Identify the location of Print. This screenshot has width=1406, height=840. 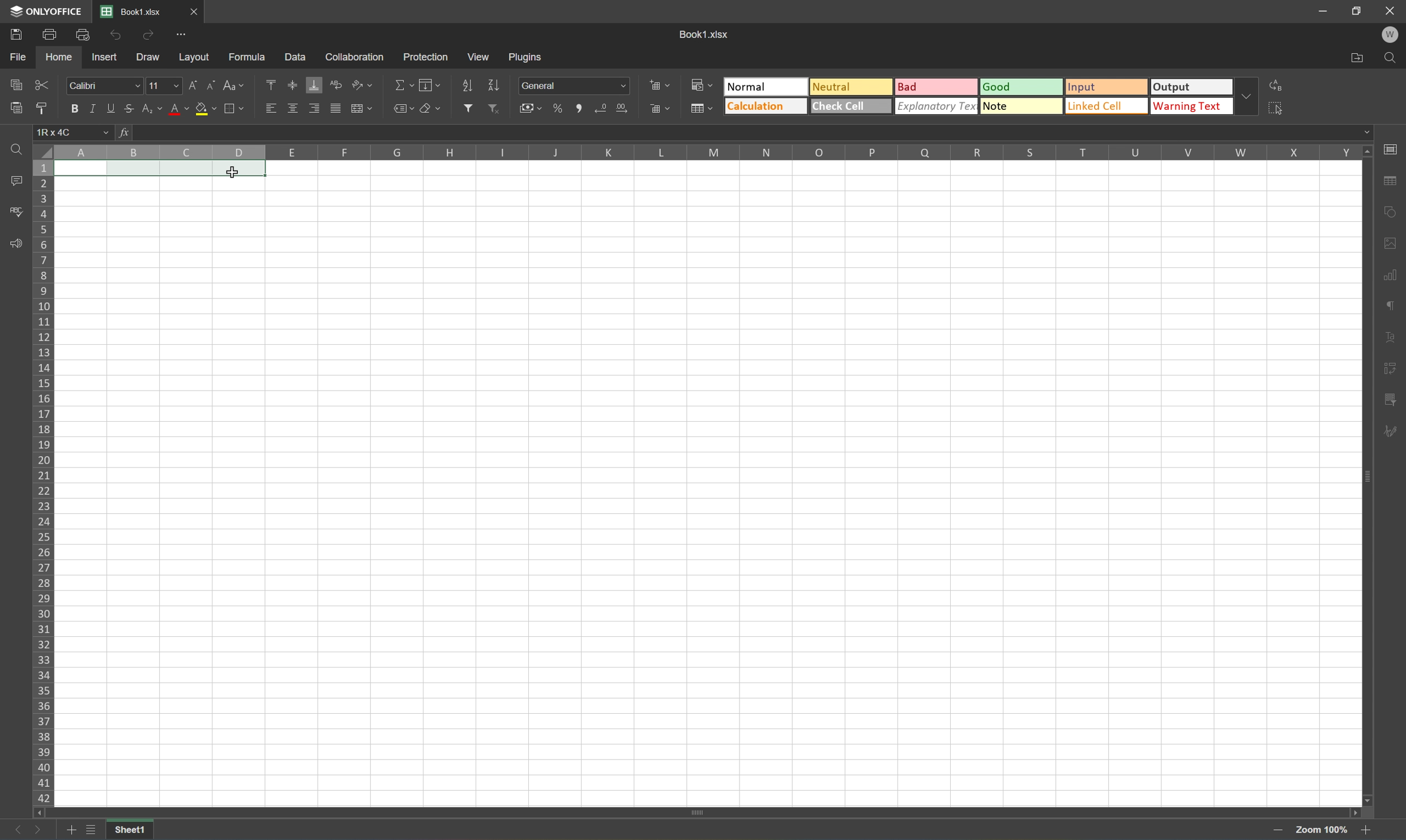
(48, 36).